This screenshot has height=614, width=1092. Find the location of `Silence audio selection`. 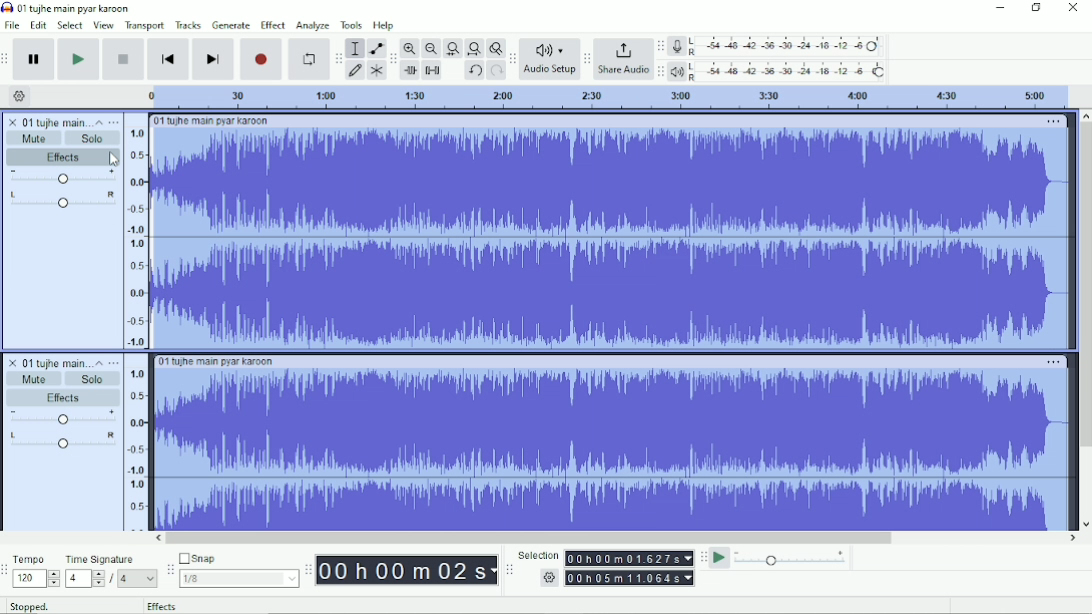

Silence audio selection is located at coordinates (433, 71).